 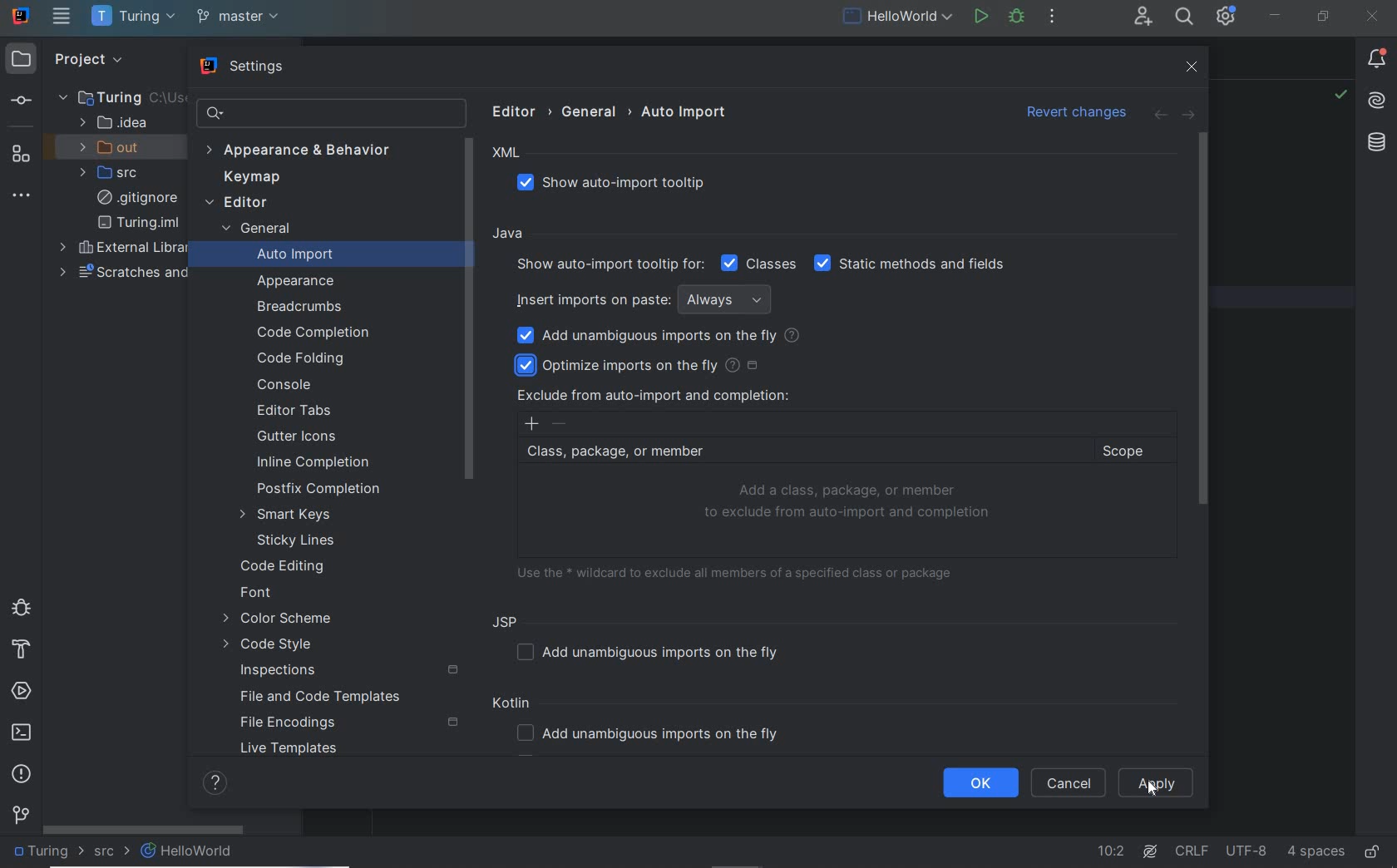 What do you see at coordinates (1158, 783) in the screenshot?
I see `APPLY` at bounding box center [1158, 783].